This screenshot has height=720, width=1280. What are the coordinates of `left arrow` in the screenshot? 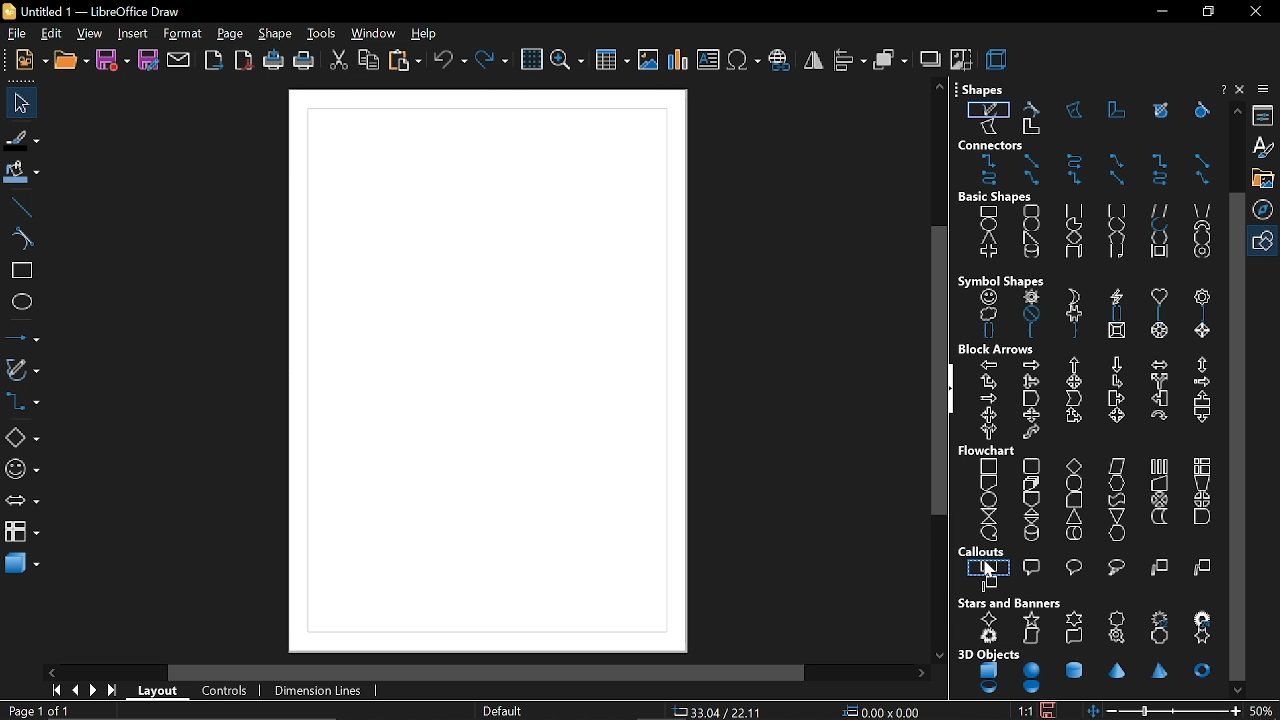 It's located at (990, 364).